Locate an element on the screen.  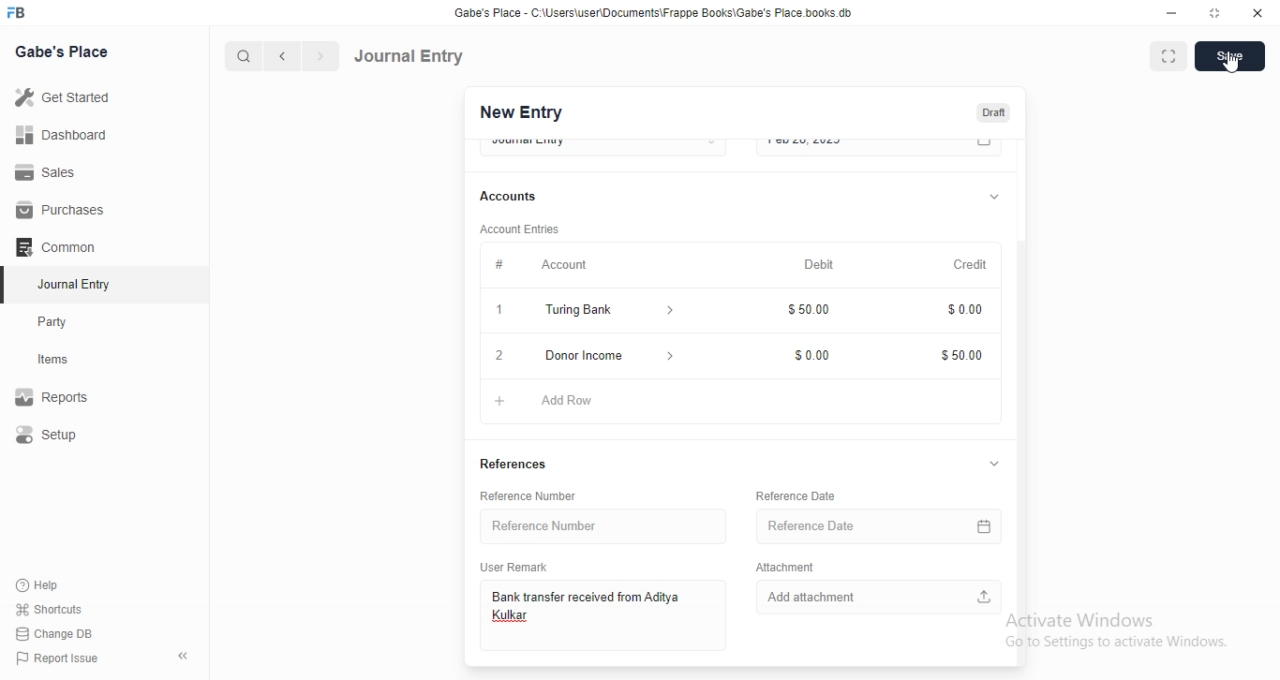
Journal Entry is located at coordinates (65, 286).